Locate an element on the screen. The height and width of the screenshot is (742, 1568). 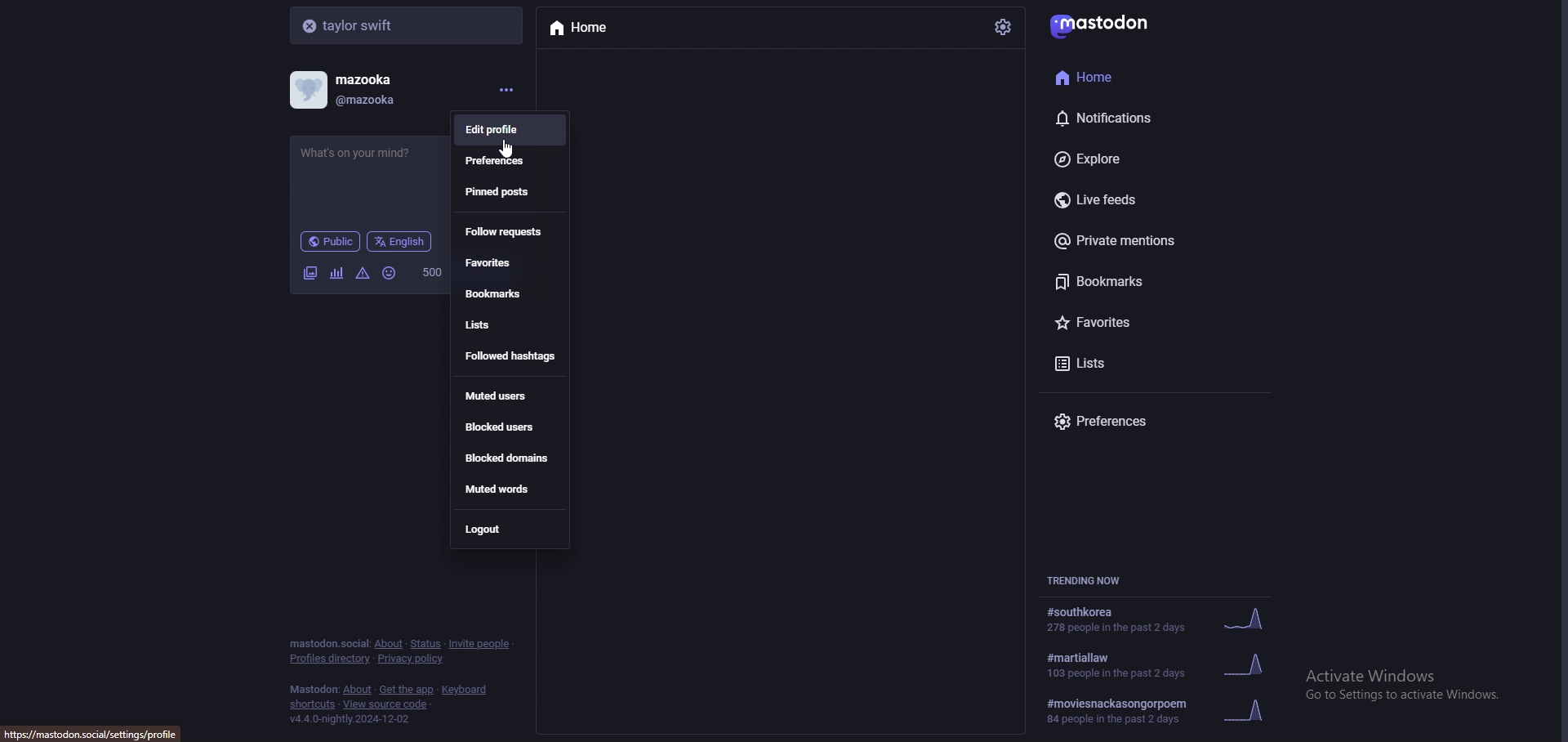
about is located at coordinates (358, 690).